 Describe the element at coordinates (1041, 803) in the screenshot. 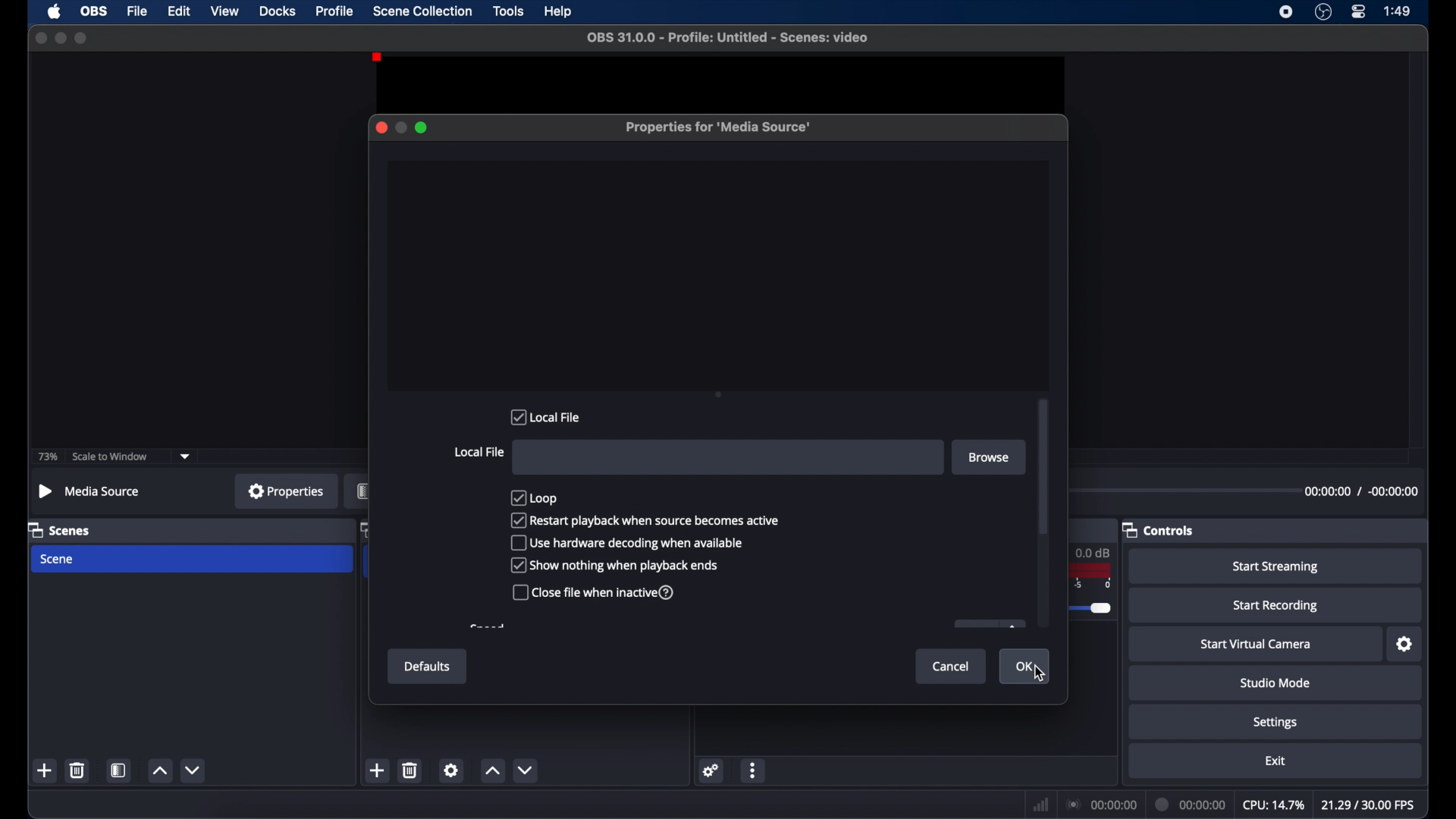

I see `network` at that location.